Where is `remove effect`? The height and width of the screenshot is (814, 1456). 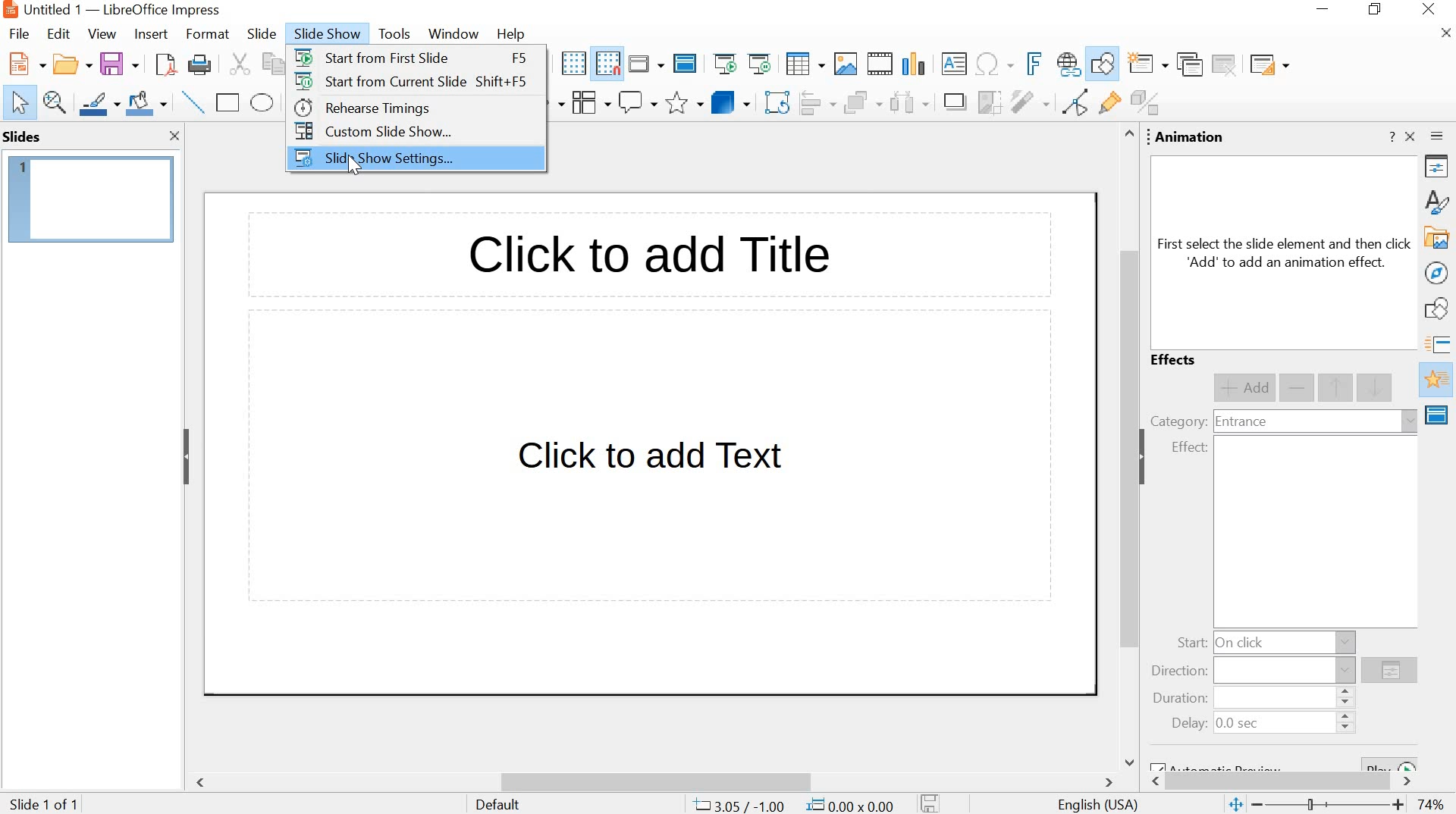
remove effect is located at coordinates (1298, 389).